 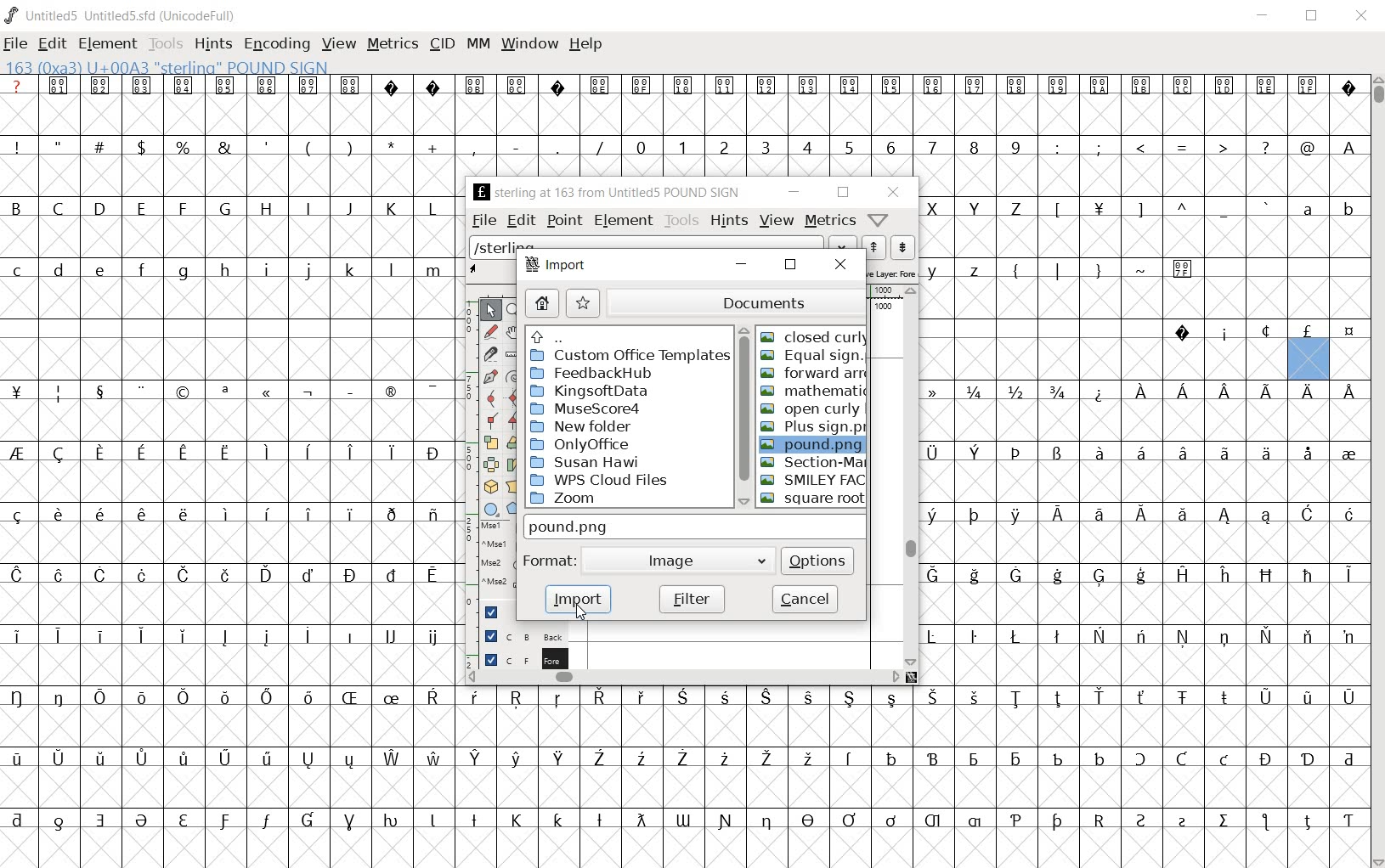 I want to click on Symbol, so click(x=350, y=759).